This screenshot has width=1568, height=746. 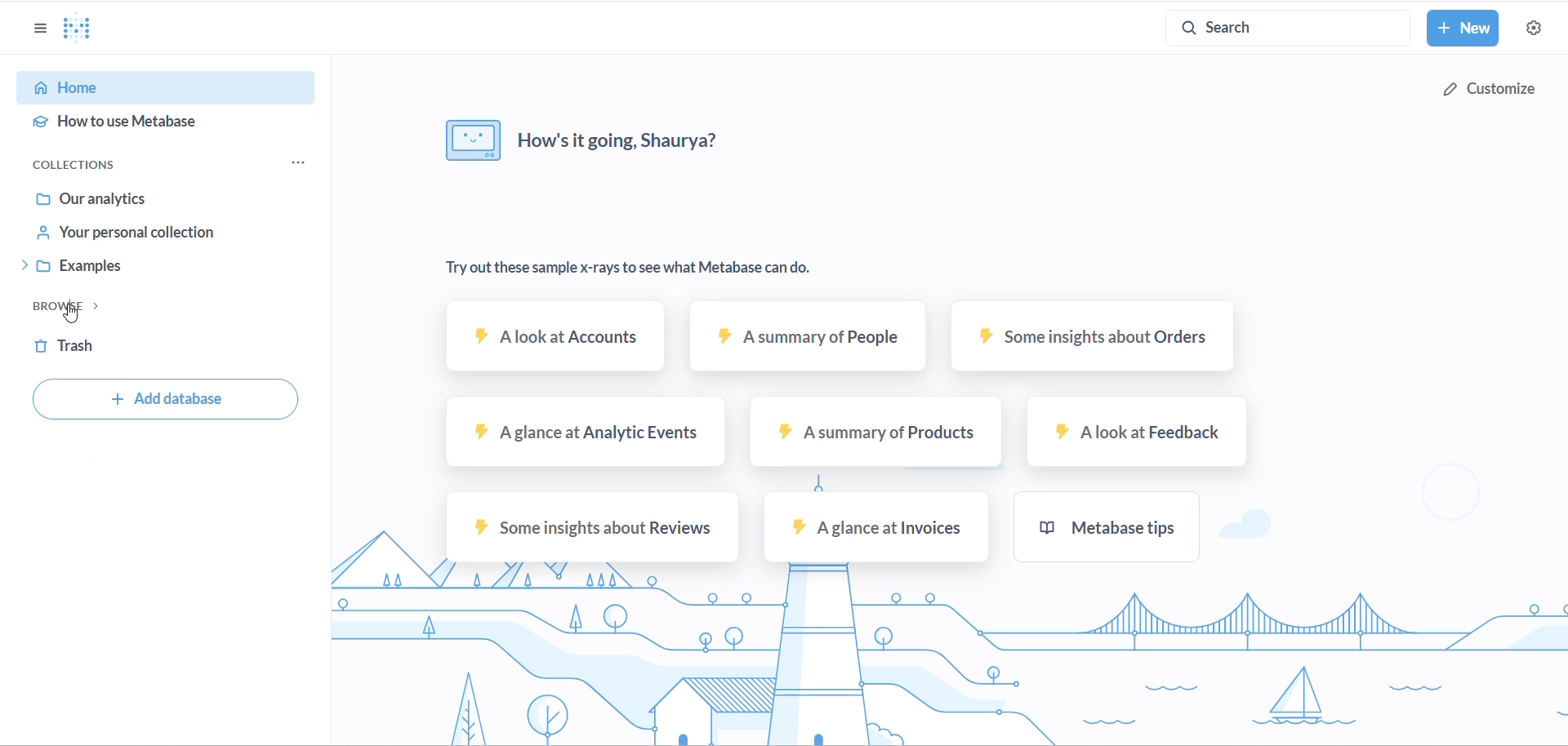 What do you see at coordinates (60, 302) in the screenshot?
I see `BROWSE` at bounding box center [60, 302].